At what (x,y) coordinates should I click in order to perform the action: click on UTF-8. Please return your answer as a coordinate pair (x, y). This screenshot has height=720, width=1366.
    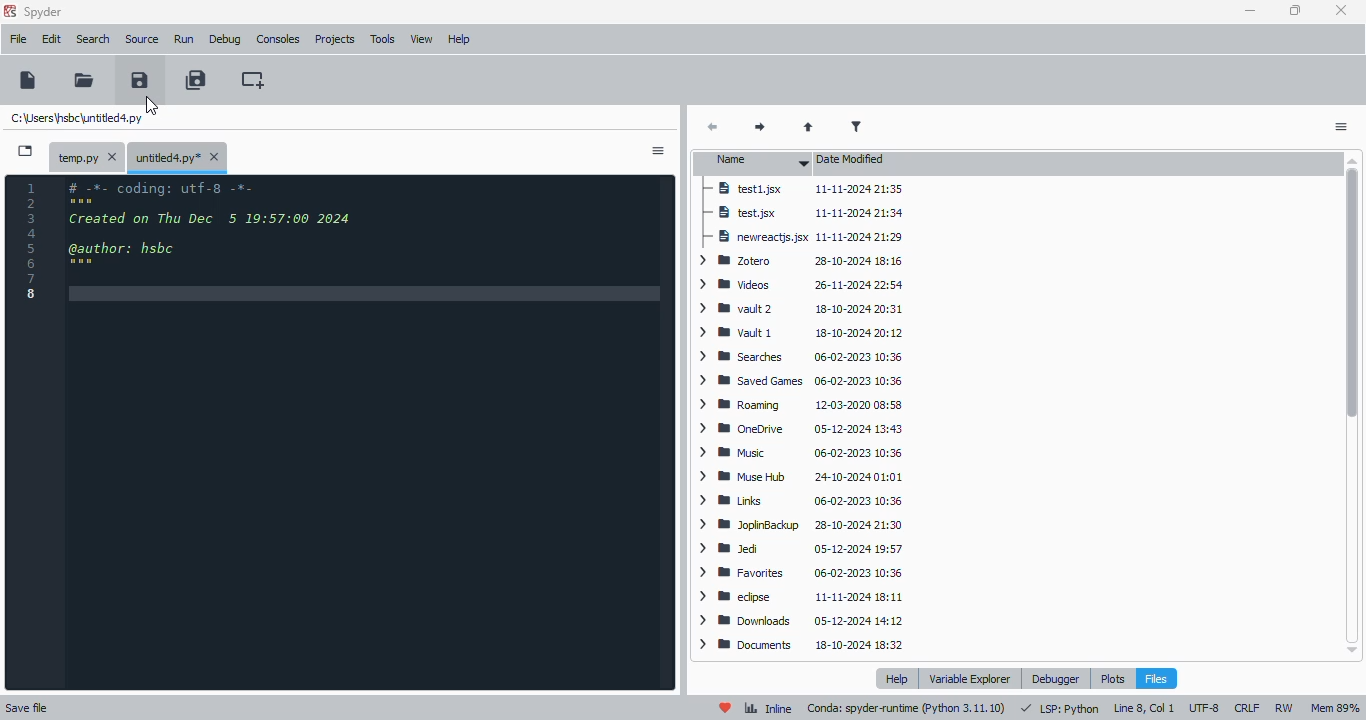
    Looking at the image, I should click on (1205, 707).